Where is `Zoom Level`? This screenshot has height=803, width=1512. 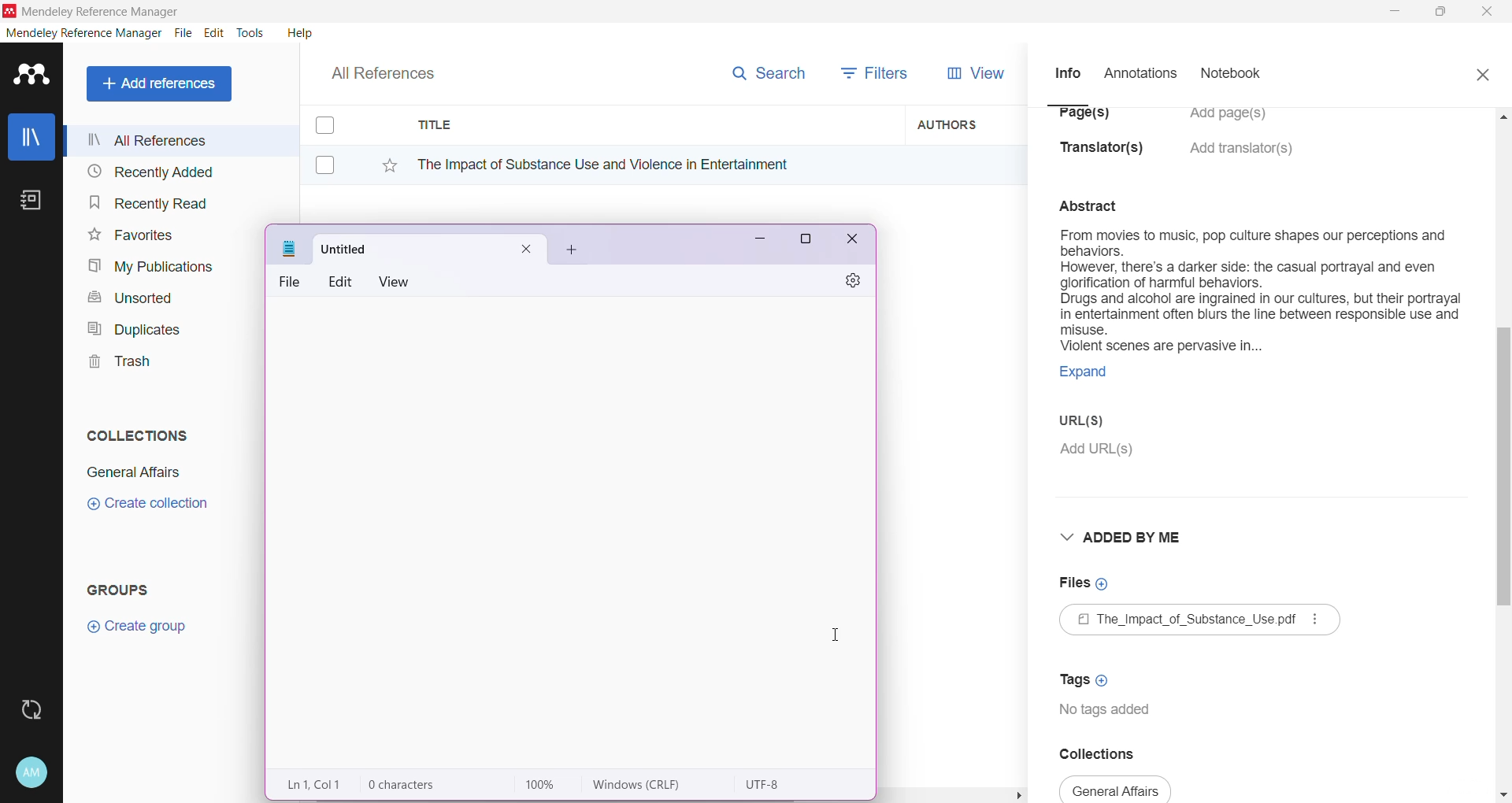
Zoom Level is located at coordinates (548, 785).